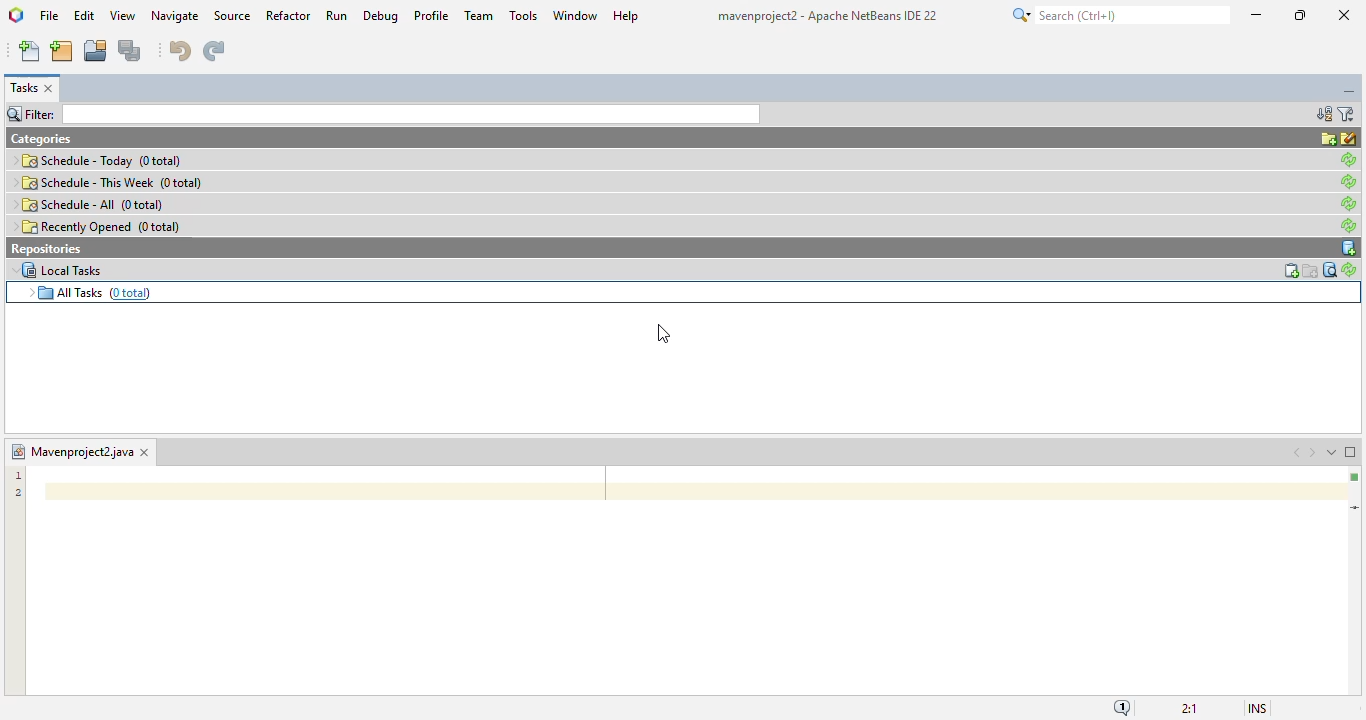 The width and height of the screenshot is (1366, 720). I want to click on tools, so click(523, 15).